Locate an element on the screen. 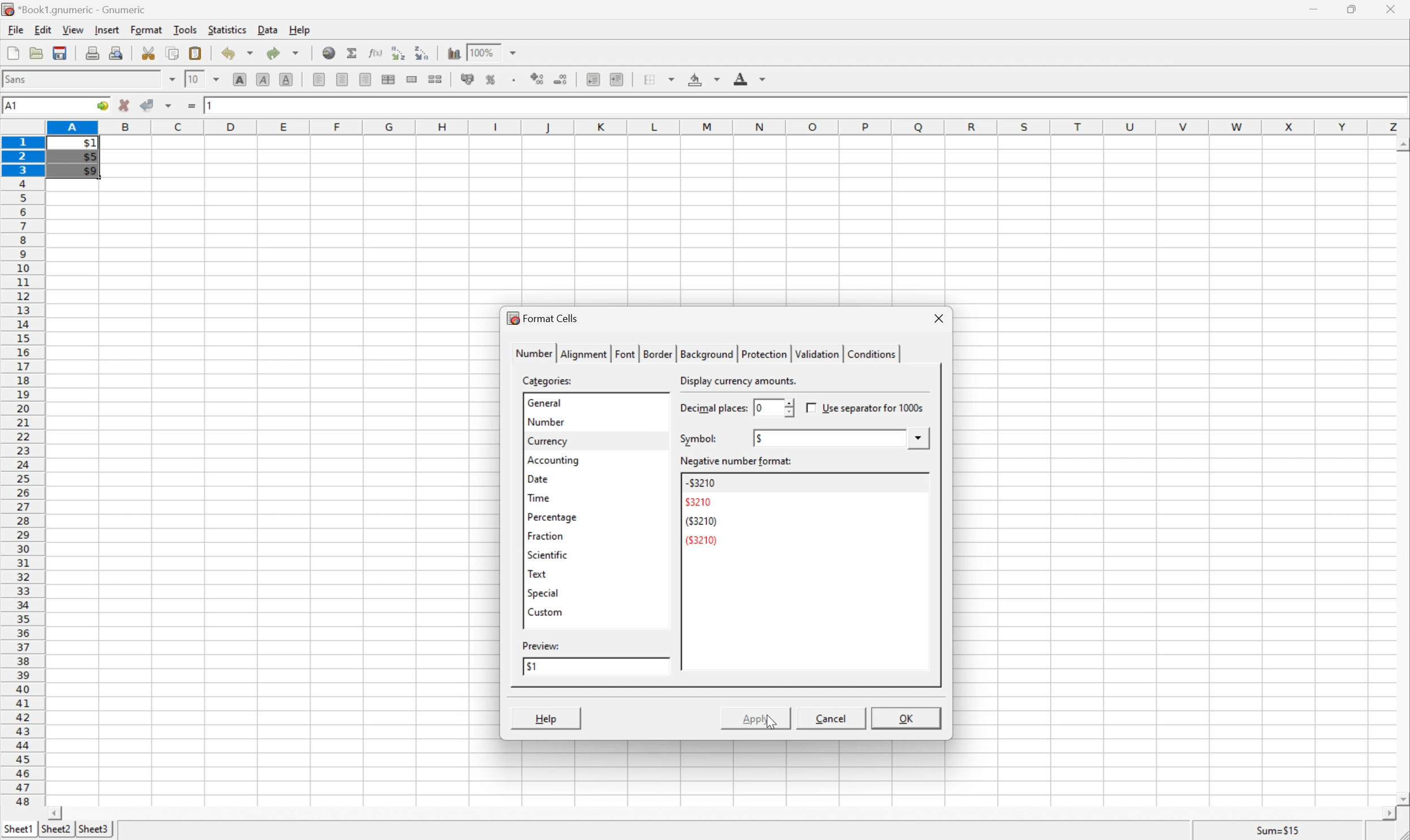  foreground is located at coordinates (748, 77).